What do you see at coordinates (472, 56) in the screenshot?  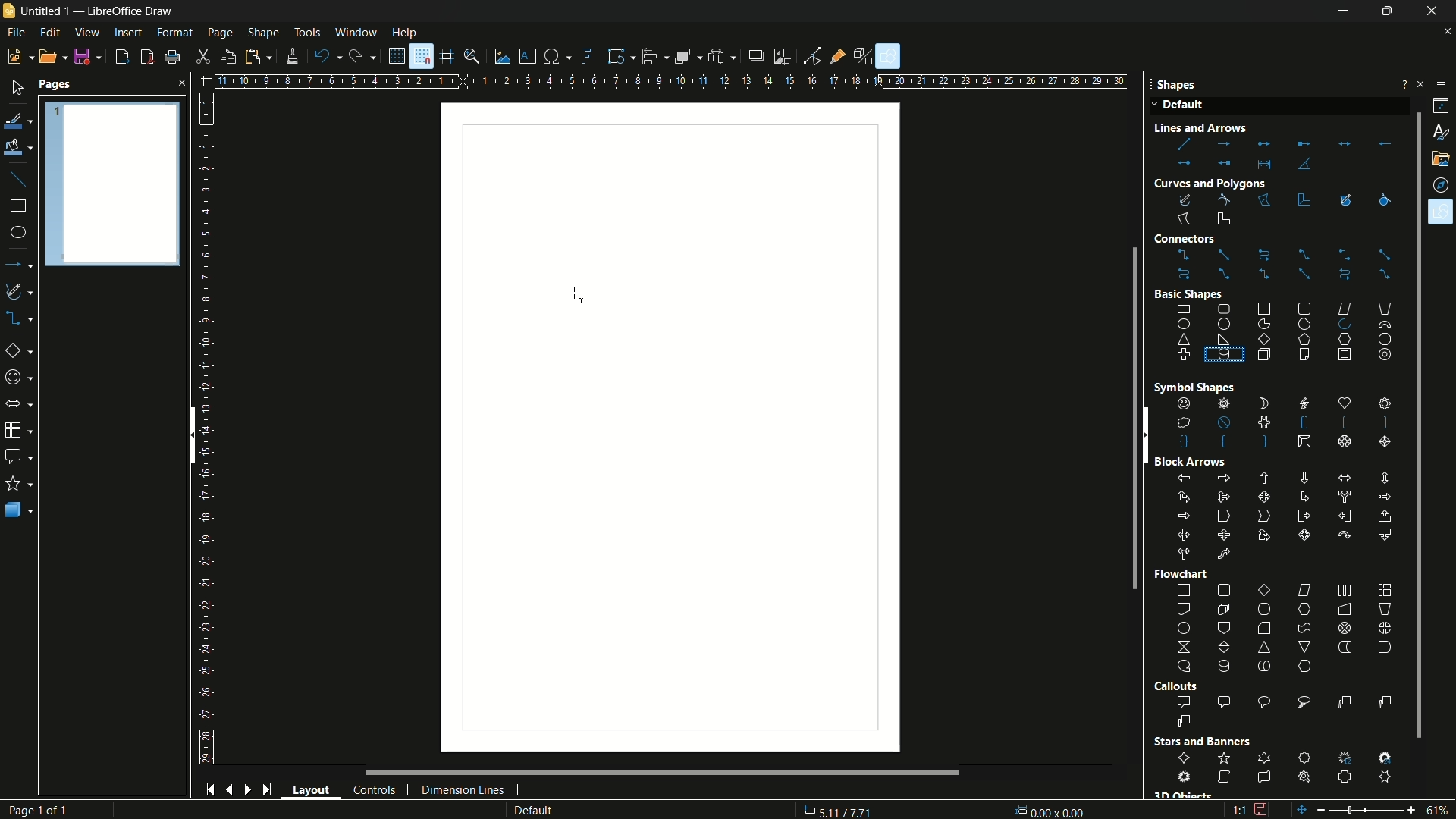 I see `zoom and pan` at bounding box center [472, 56].